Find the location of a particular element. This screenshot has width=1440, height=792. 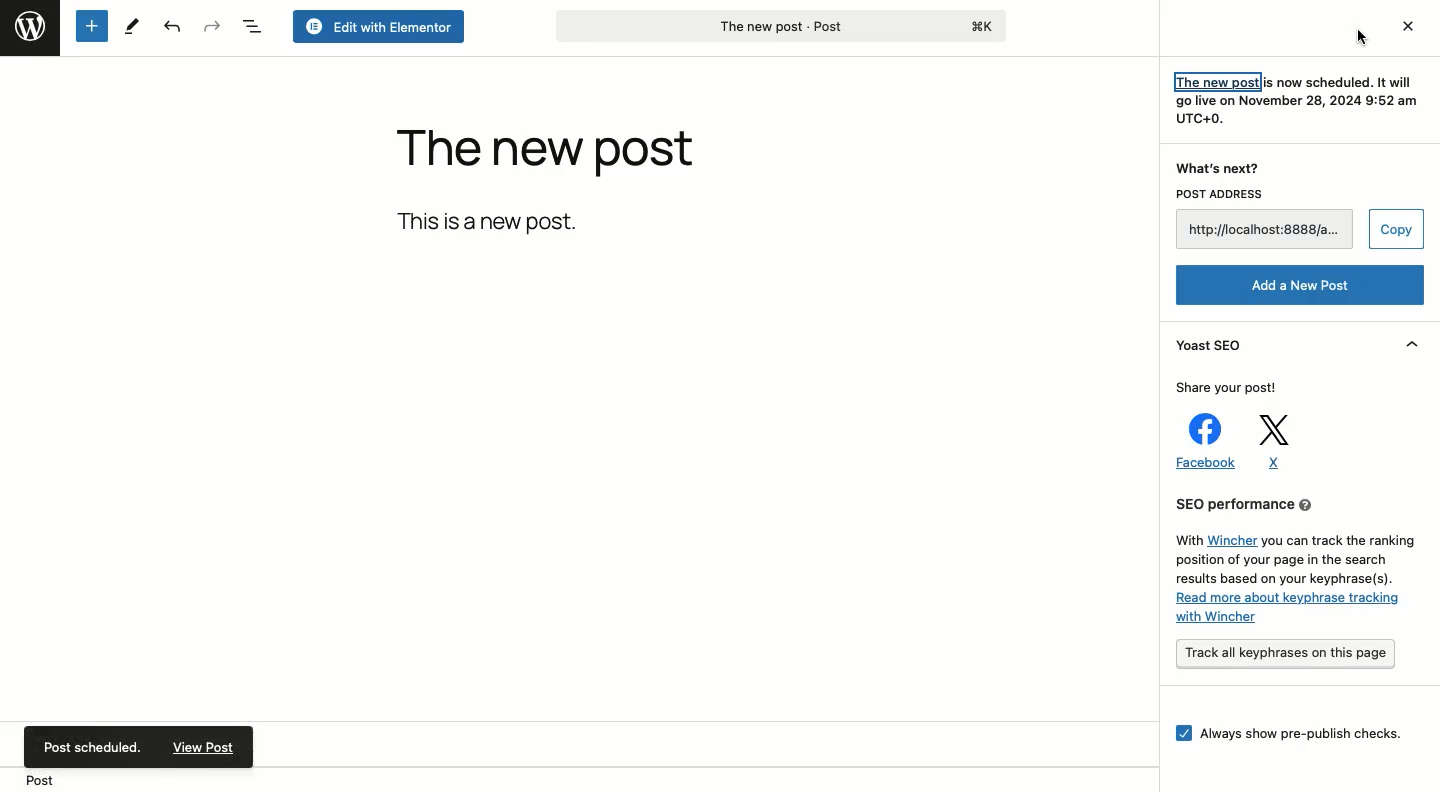

Always show pre-publish checks. is located at coordinates (1302, 733).